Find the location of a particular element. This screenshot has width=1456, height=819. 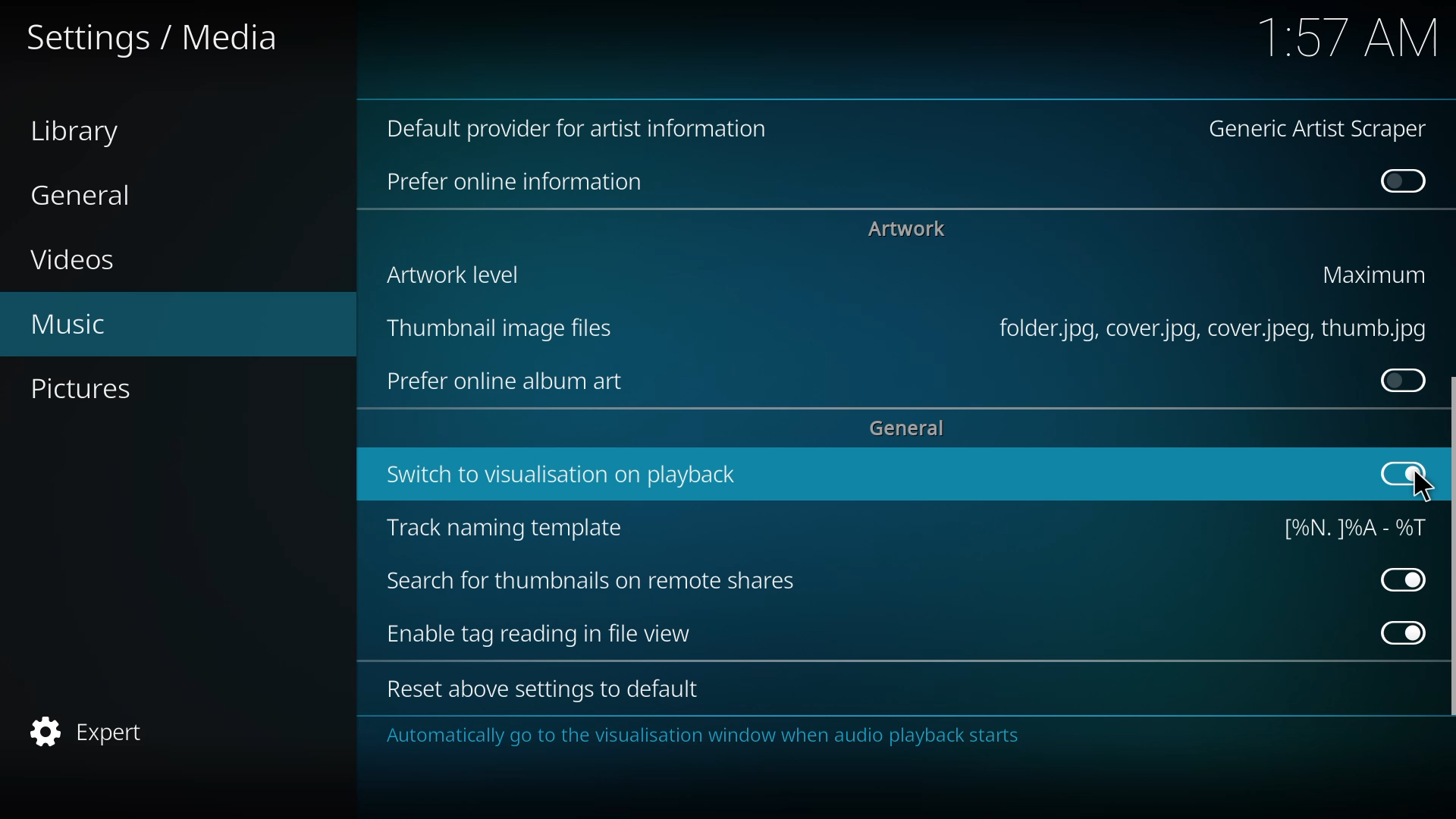

scroll bar is located at coordinates (1447, 554).